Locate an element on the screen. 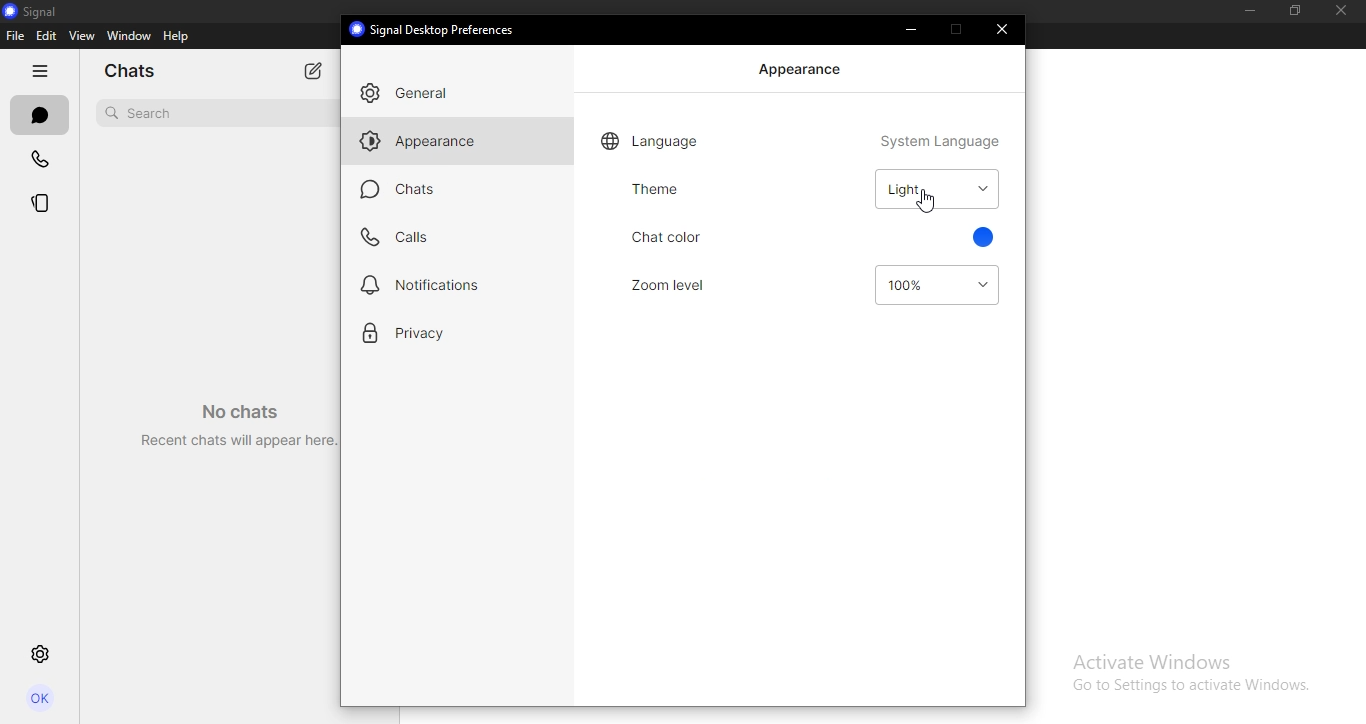 The height and width of the screenshot is (724, 1366). hide tabs is located at coordinates (40, 73).